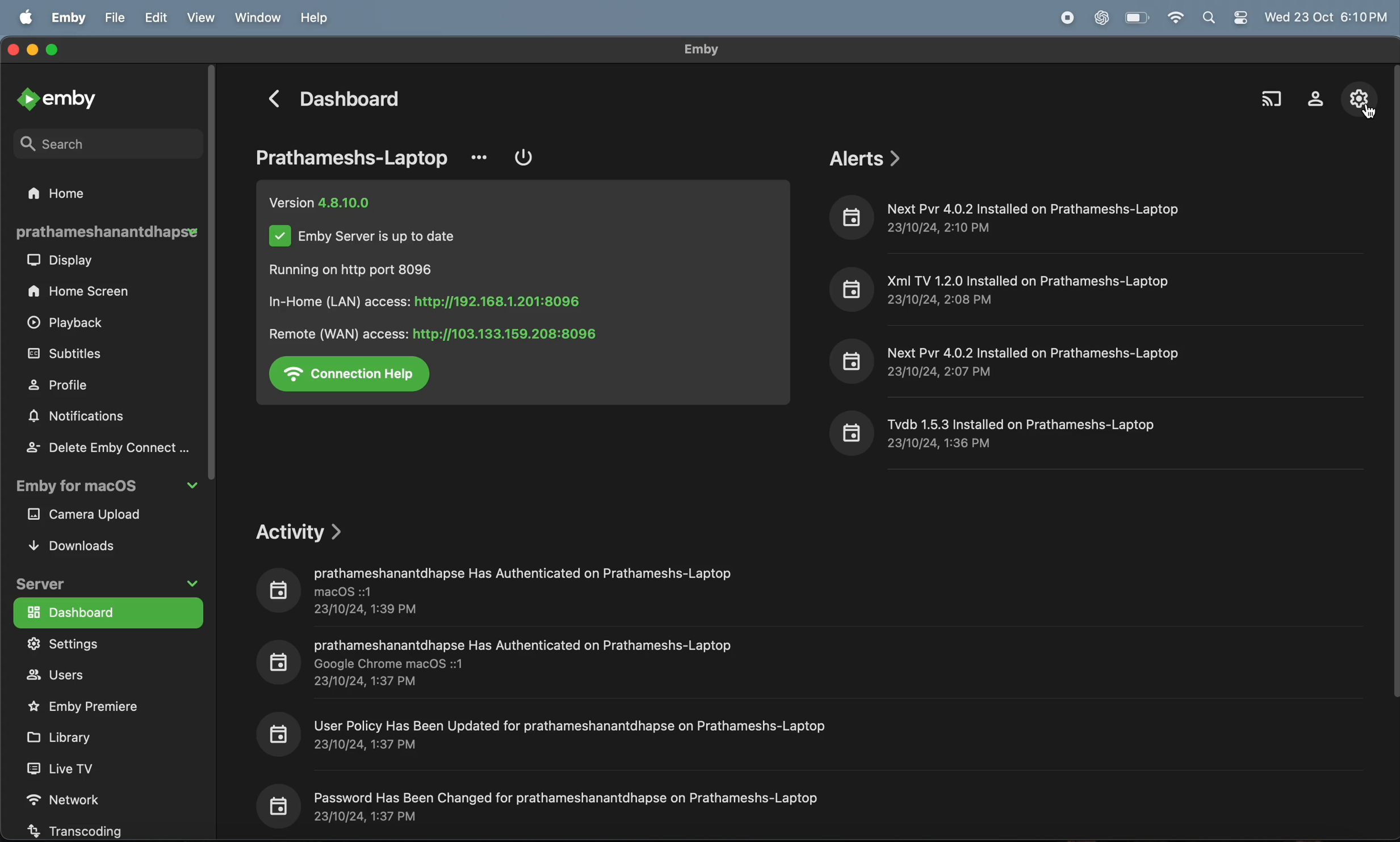  I want to click on 8 Next Pvr 4.0.2 Installed on Prathameshs-Laptop
23/10/24, 2:07 PM, so click(1005, 363).